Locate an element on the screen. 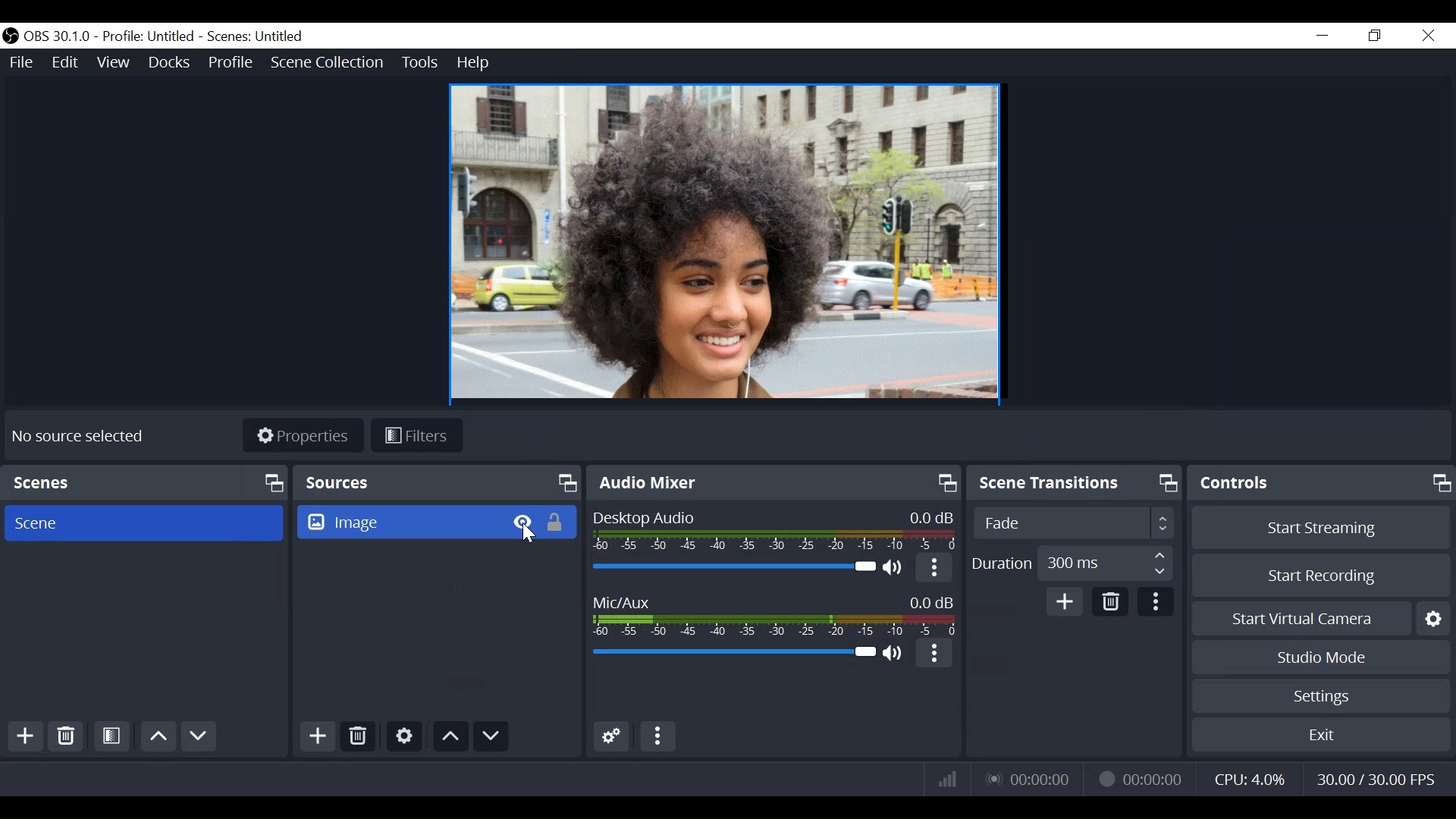 This screenshot has width=1456, height=819. Cursor is located at coordinates (530, 535).